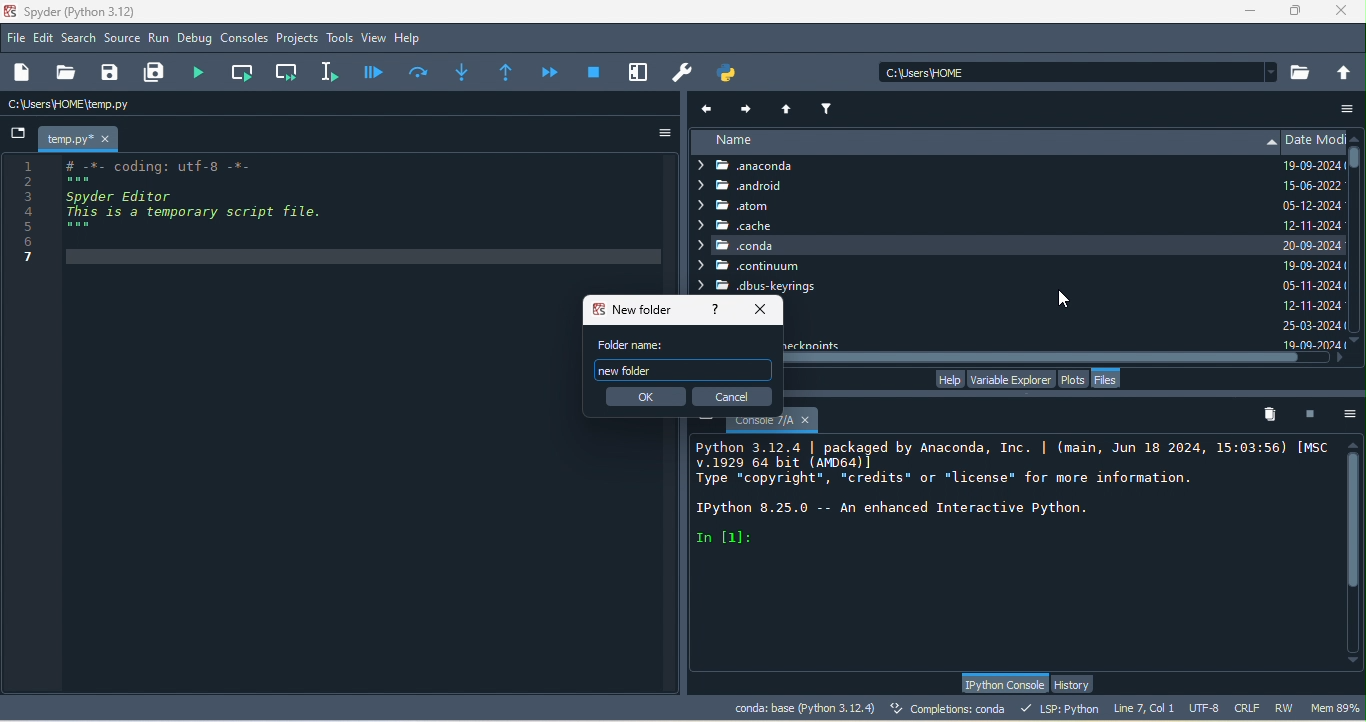 This screenshot has height=722, width=1366. Describe the element at coordinates (951, 710) in the screenshot. I see `completions conda` at that location.